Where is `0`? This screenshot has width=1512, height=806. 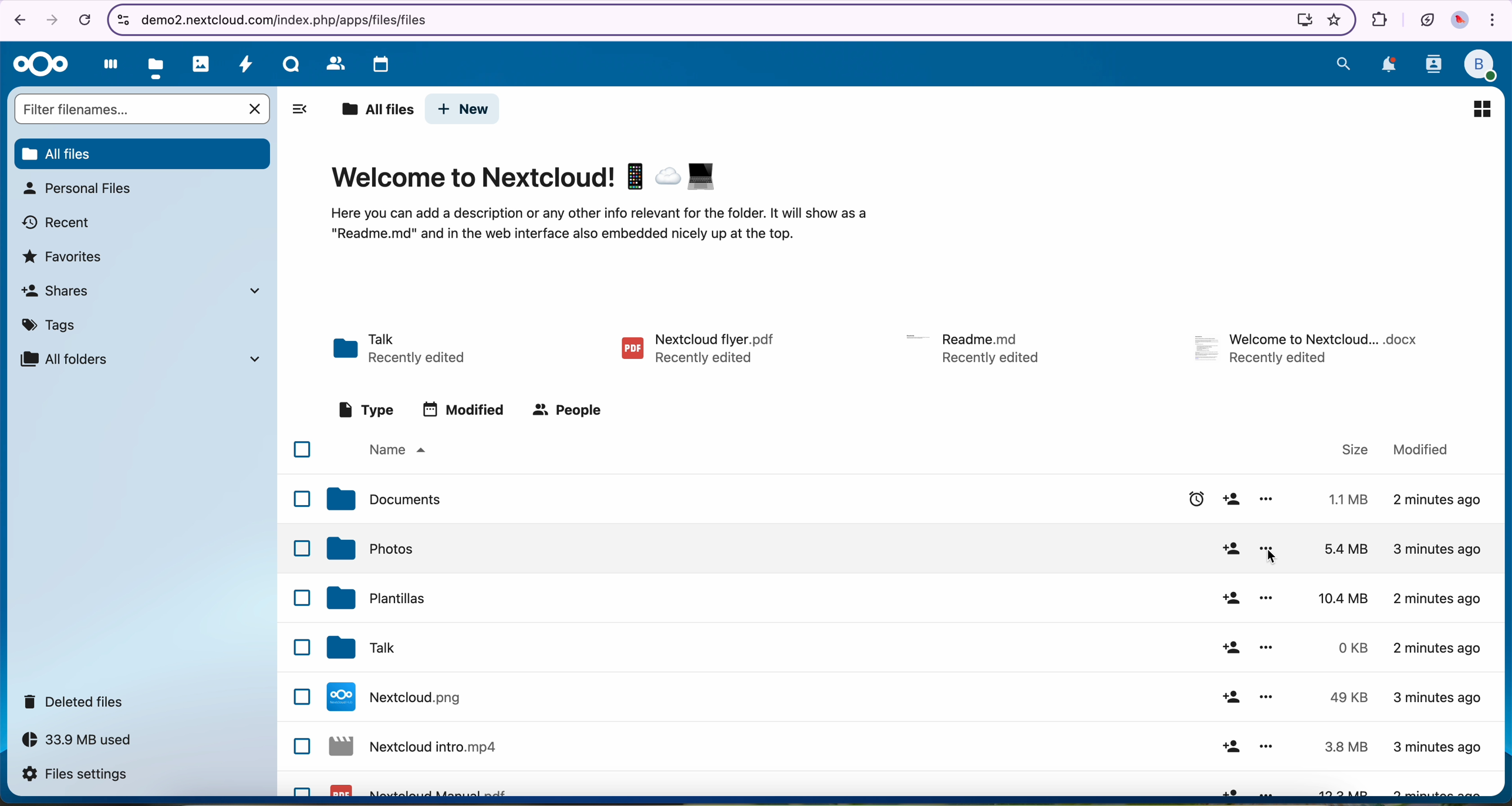 0 is located at coordinates (1344, 648).